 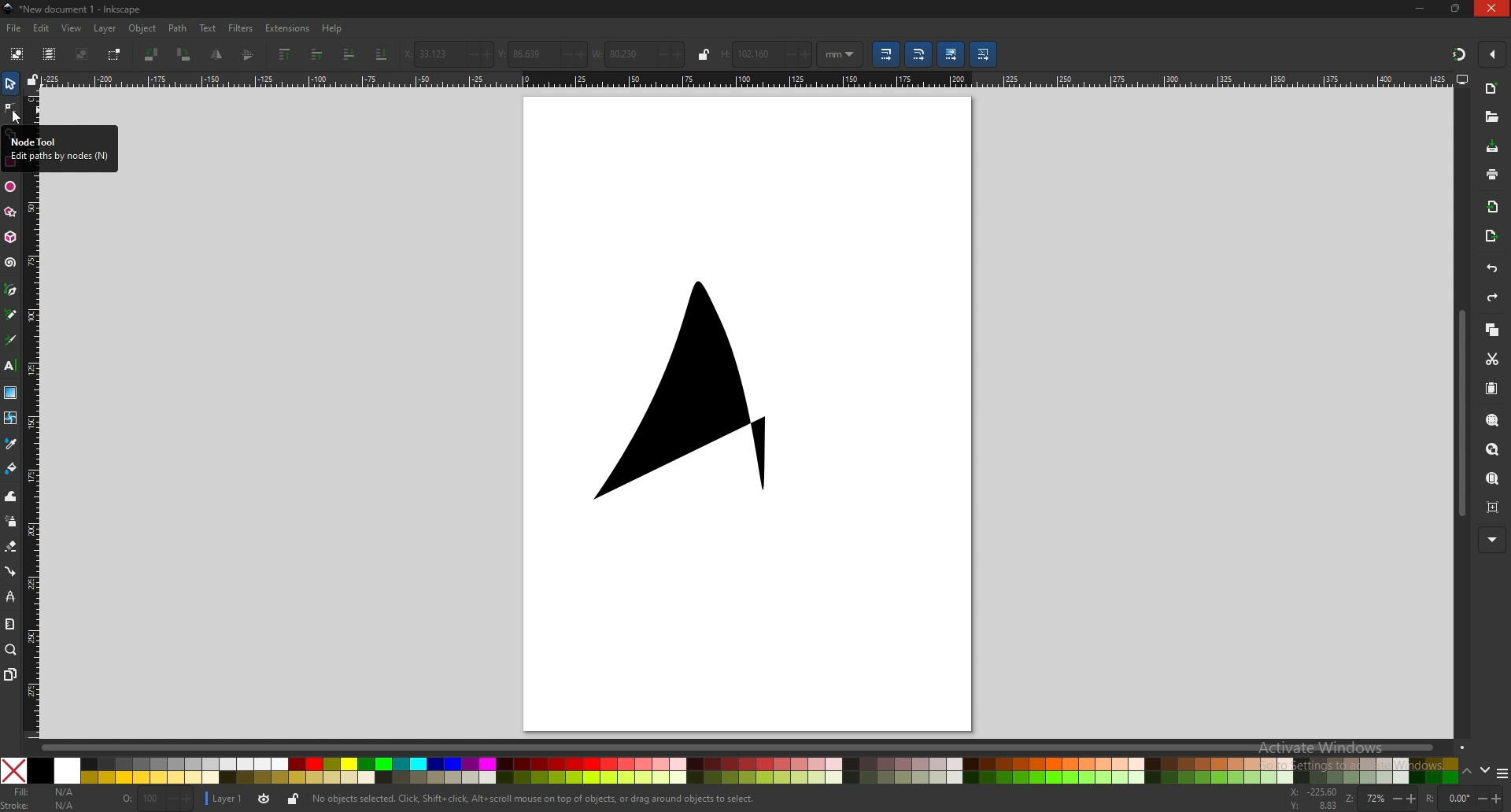 I want to click on cut, so click(x=1492, y=358).